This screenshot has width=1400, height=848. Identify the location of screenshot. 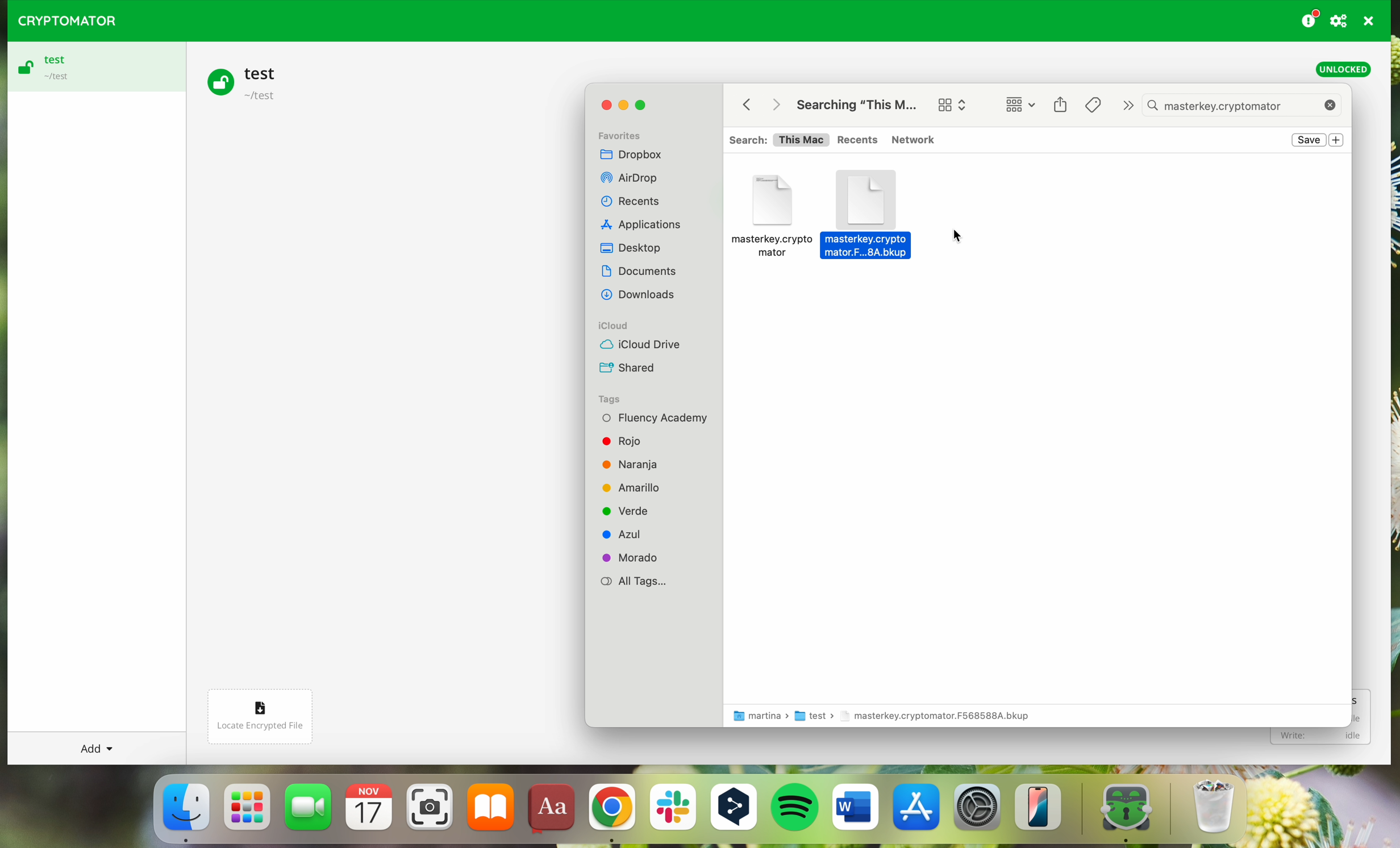
(430, 812).